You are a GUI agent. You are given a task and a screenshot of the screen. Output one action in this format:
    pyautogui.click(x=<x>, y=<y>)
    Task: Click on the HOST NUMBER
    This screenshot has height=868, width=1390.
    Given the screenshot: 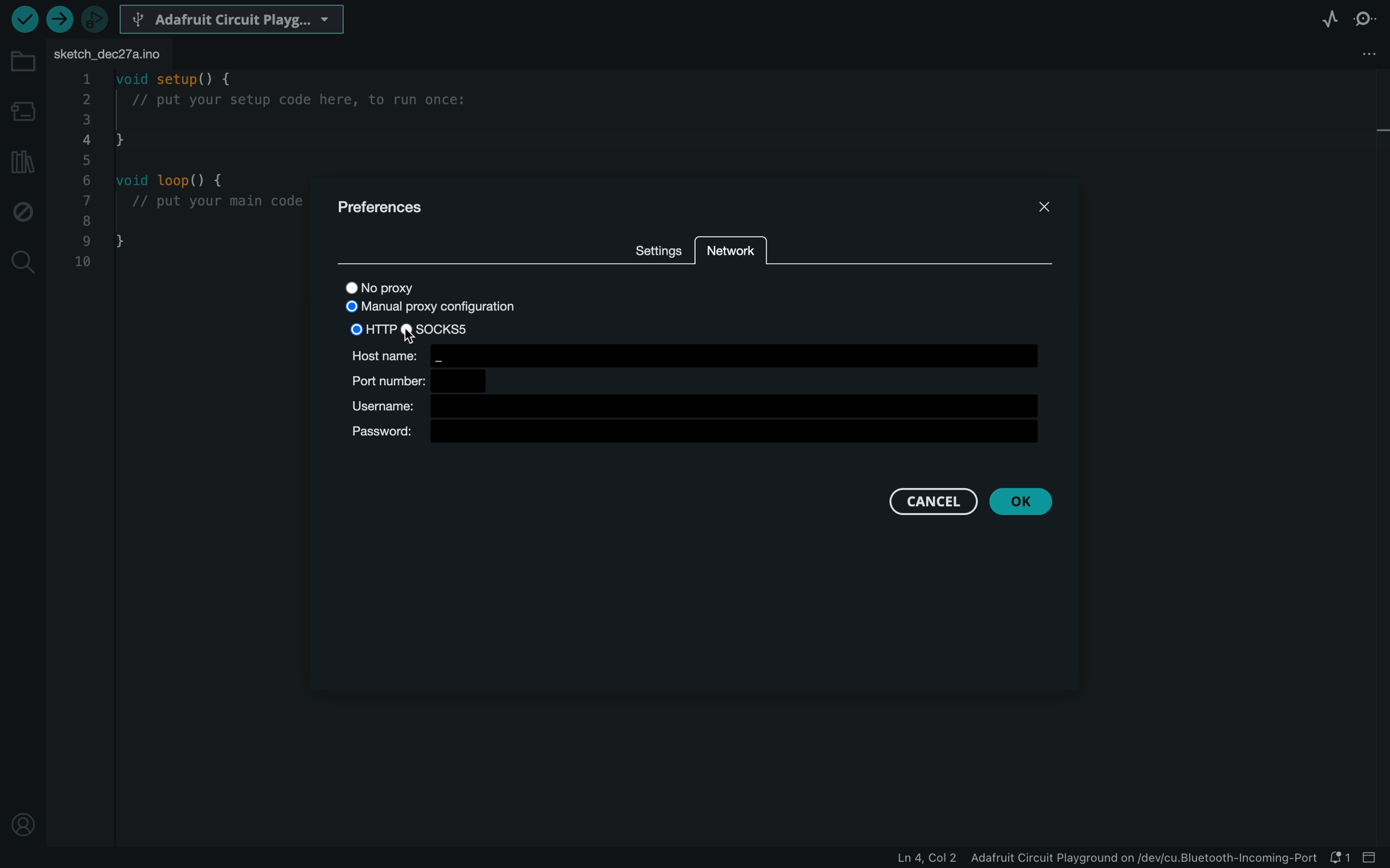 What is the action you would take?
    pyautogui.click(x=696, y=358)
    